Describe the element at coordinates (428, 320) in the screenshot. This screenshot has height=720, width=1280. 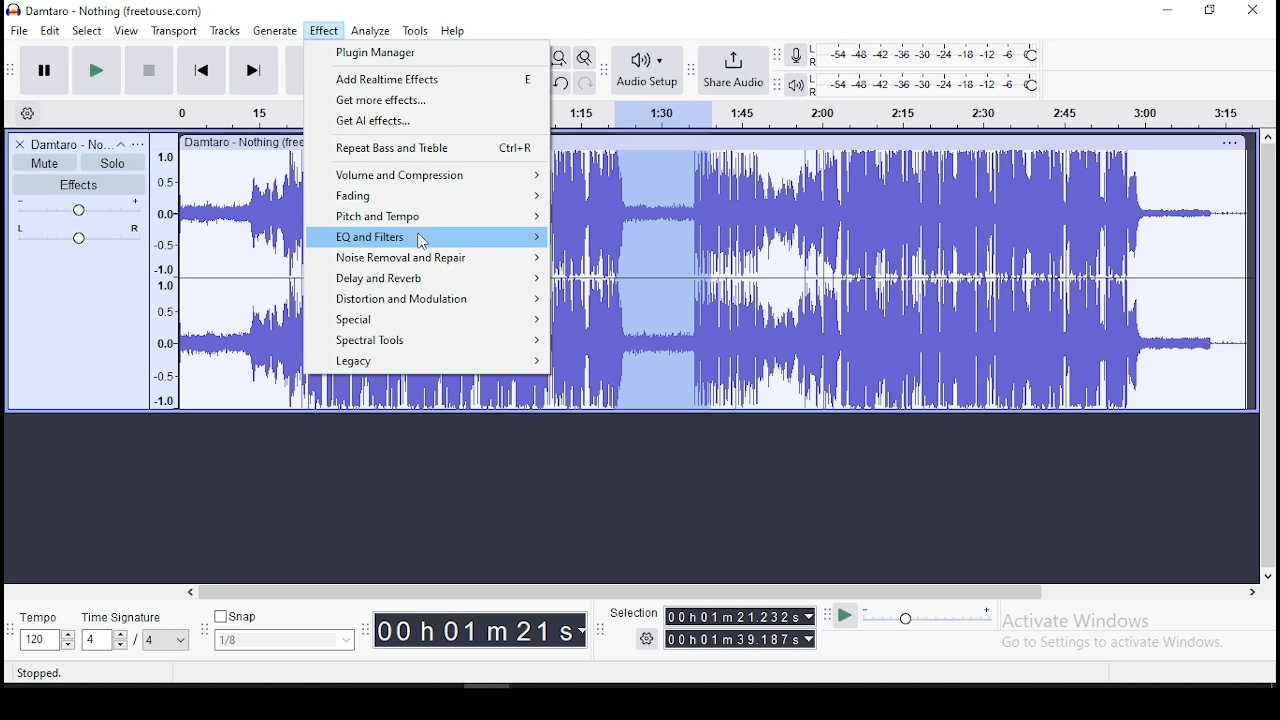
I see `special` at that location.